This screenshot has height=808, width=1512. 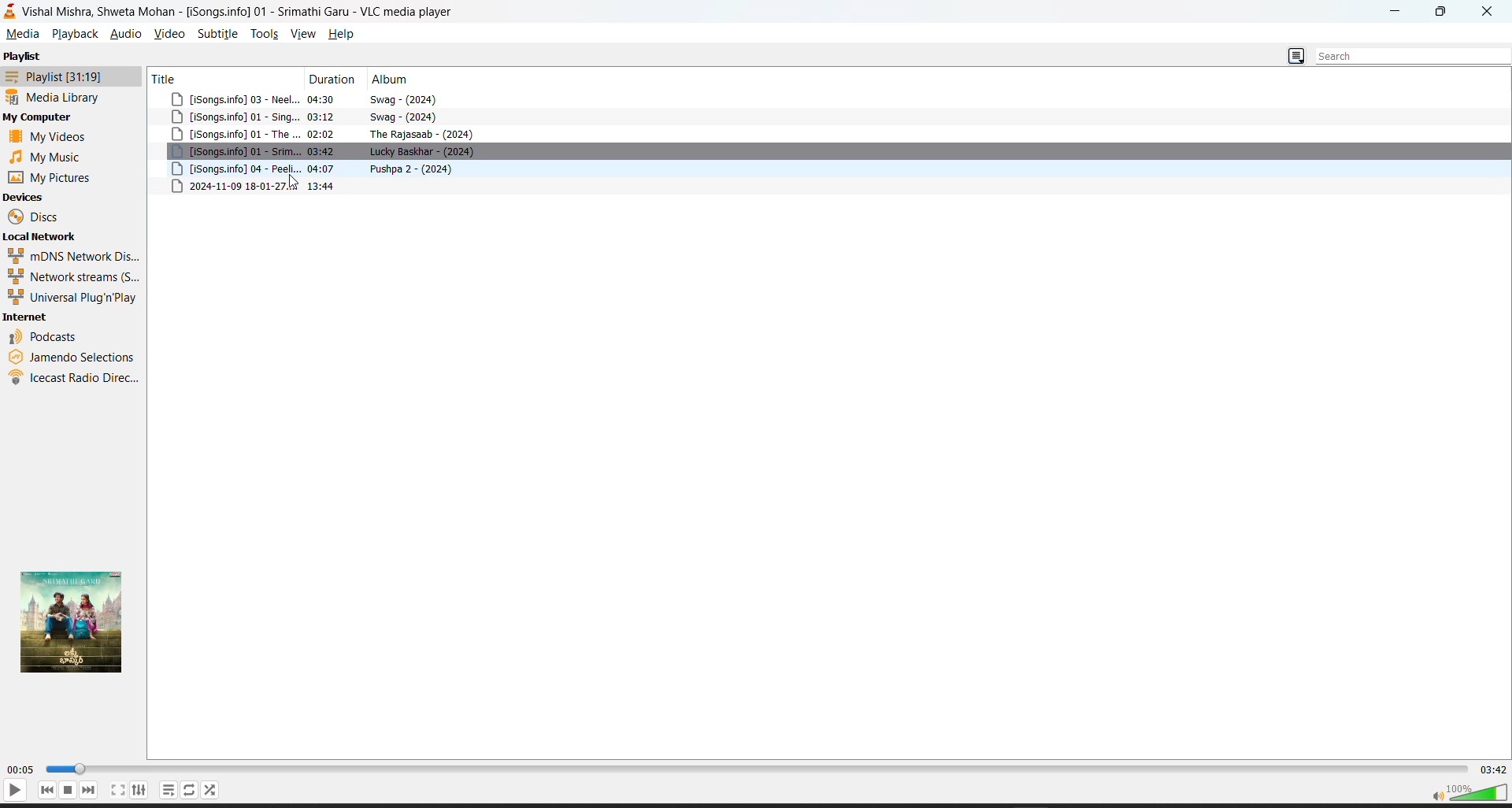 I want to click on video, so click(x=168, y=32).